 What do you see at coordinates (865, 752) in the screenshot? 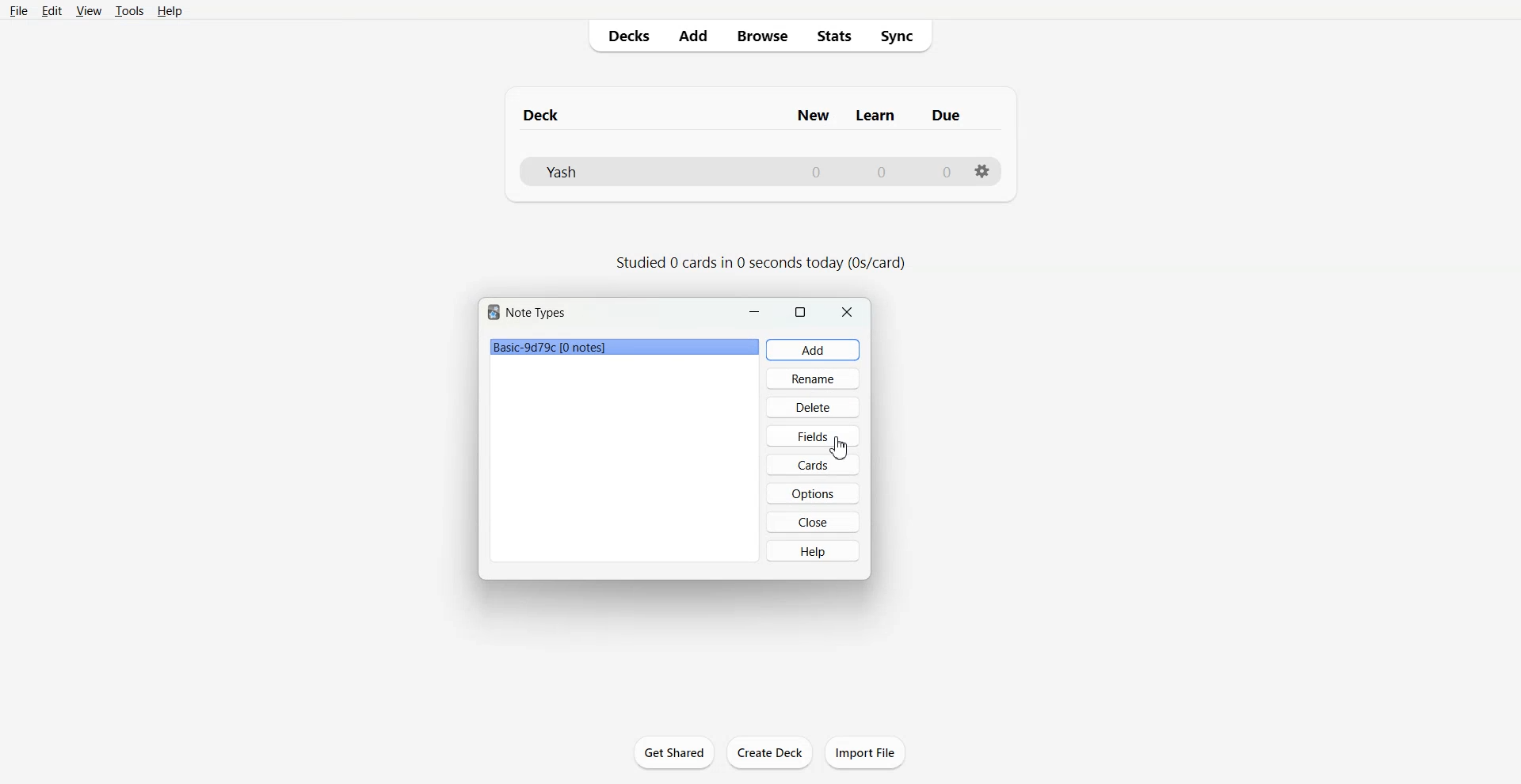
I see `Import File` at bounding box center [865, 752].